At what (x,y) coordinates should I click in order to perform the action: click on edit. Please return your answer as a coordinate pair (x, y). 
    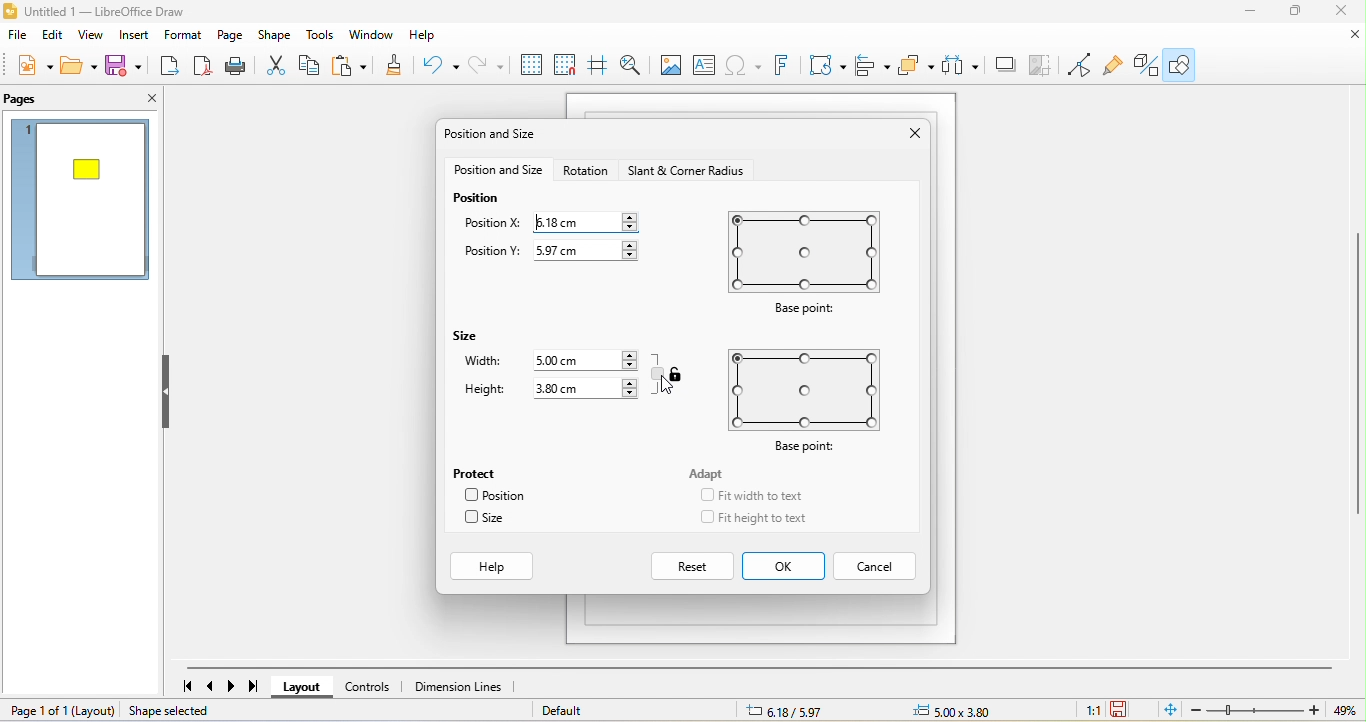
    Looking at the image, I should click on (54, 36).